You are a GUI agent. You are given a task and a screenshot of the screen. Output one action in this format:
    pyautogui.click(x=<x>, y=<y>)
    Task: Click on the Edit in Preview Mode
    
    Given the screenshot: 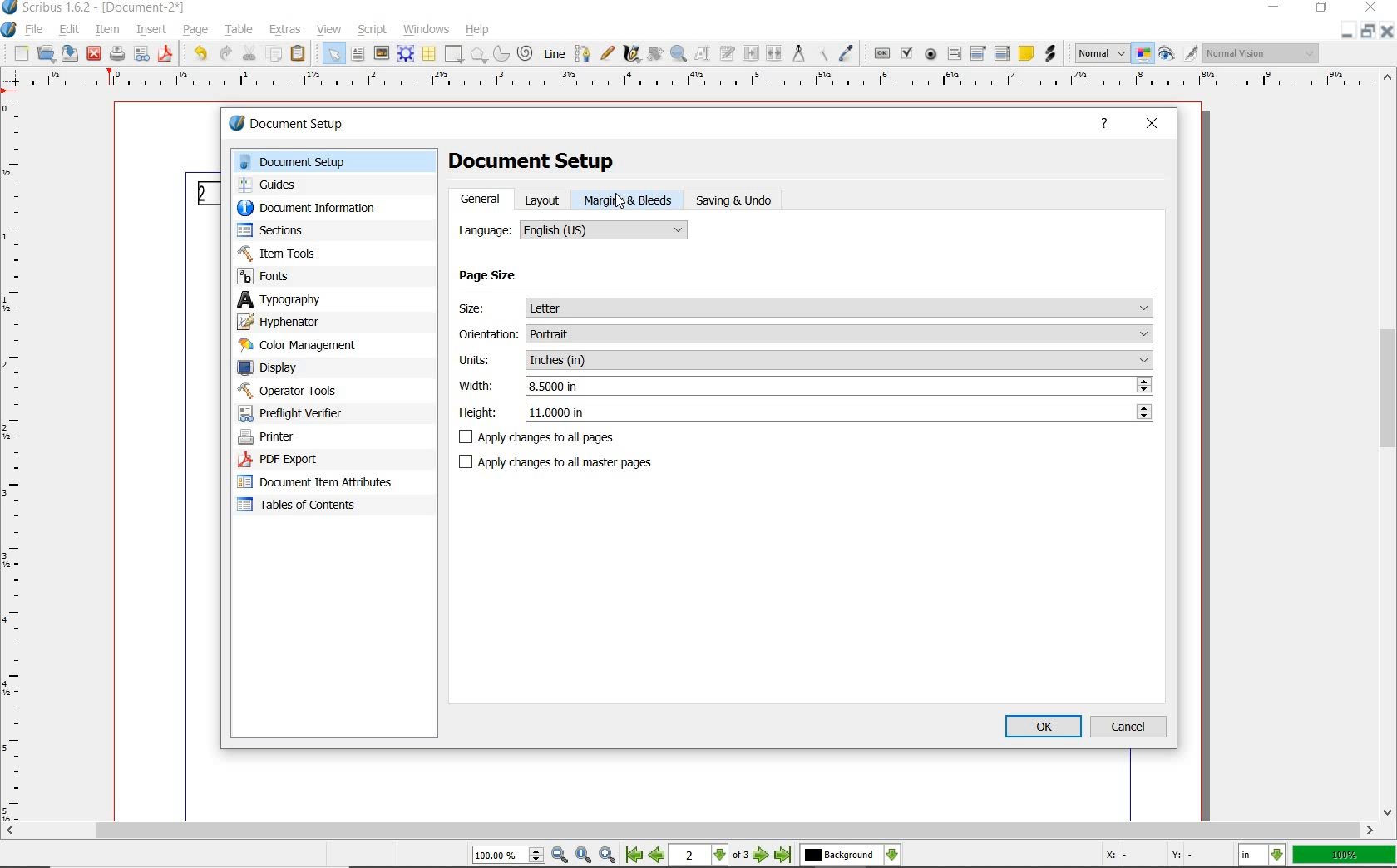 What is the action you would take?
    pyautogui.click(x=1190, y=56)
    